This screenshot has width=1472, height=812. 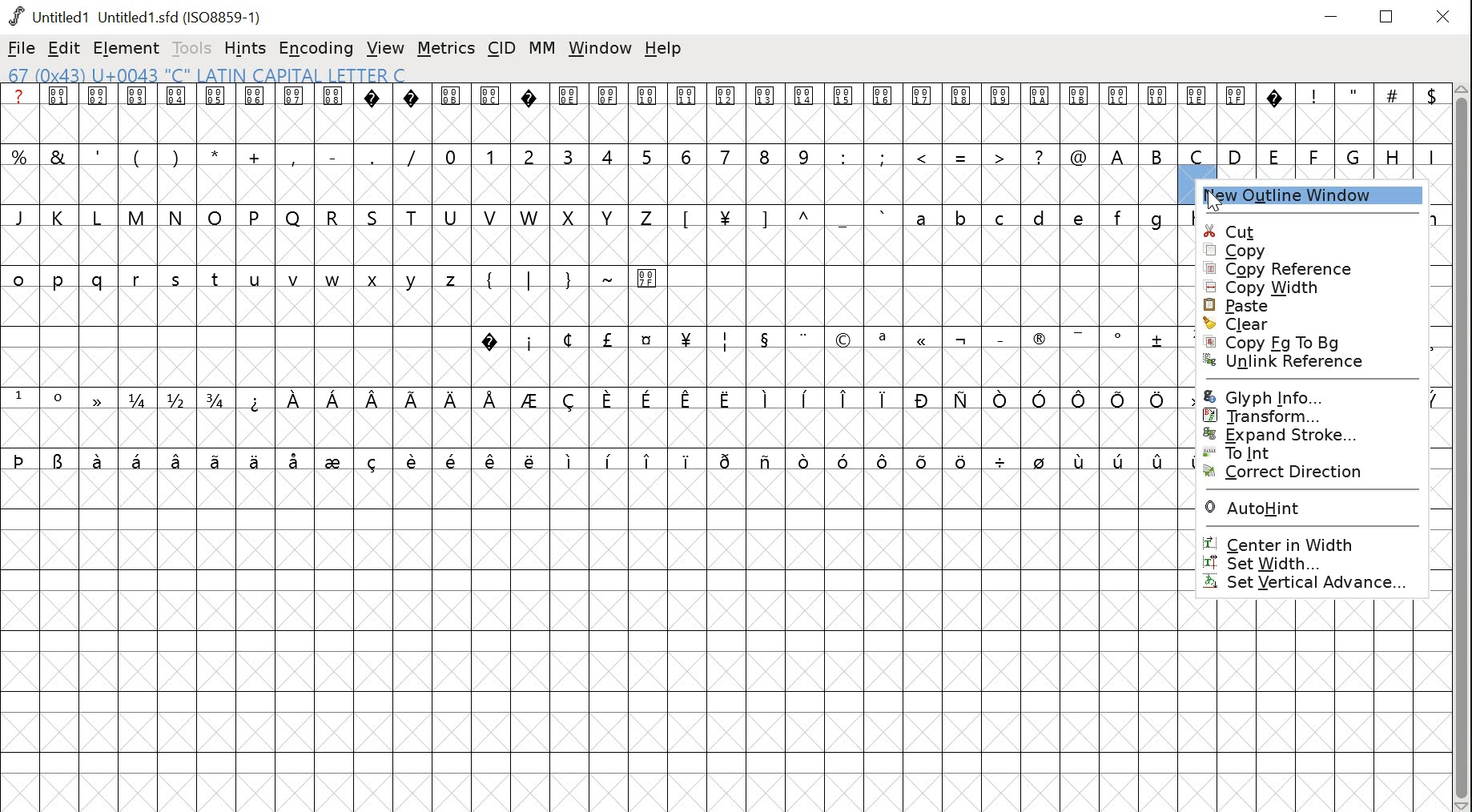 What do you see at coordinates (1300, 269) in the screenshot?
I see `copy reference` at bounding box center [1300, 269].